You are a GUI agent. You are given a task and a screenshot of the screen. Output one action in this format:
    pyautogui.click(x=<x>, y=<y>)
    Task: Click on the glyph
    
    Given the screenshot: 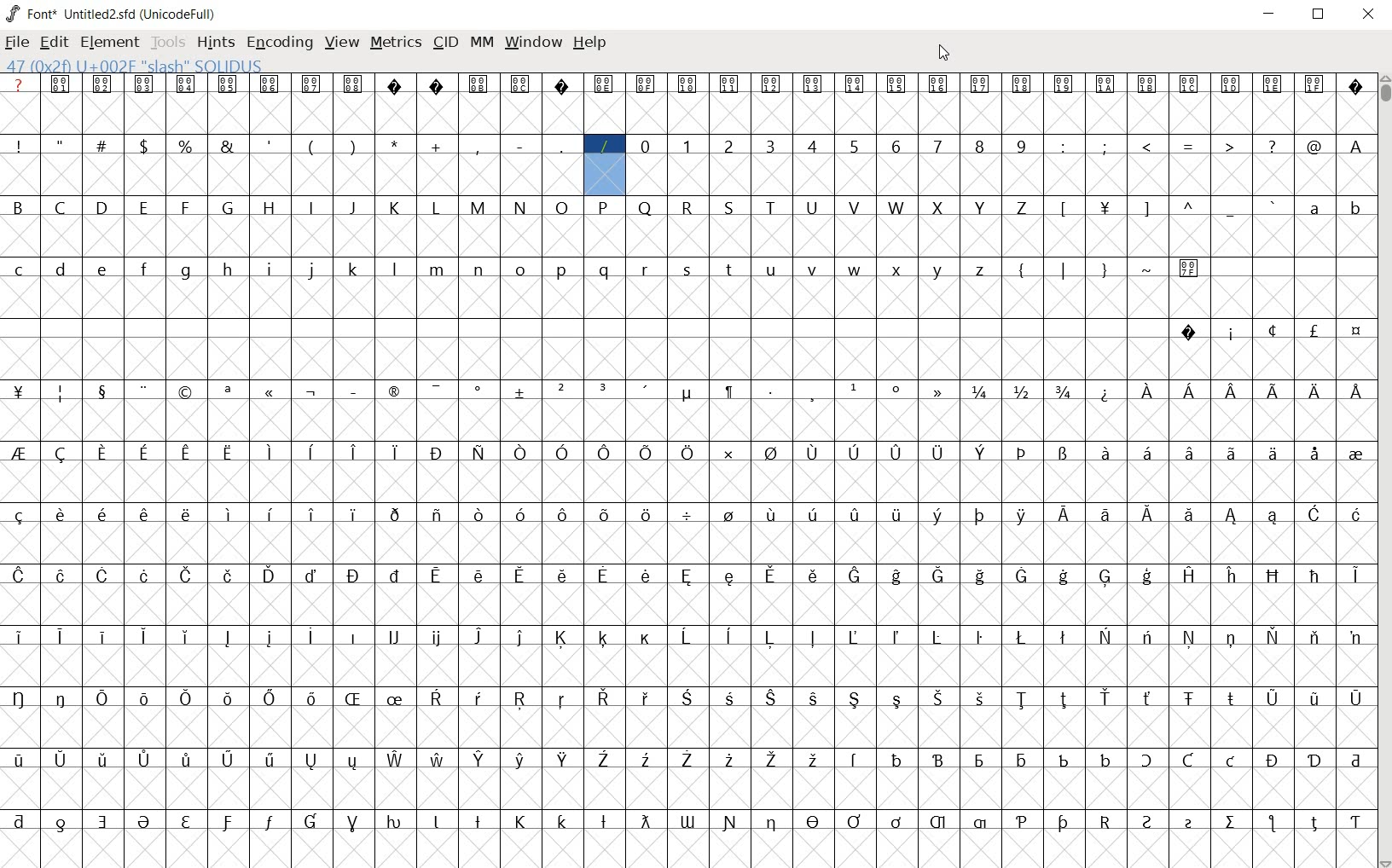 What is the action you would take?
    pyautogui.click(x=687, y=516)
    